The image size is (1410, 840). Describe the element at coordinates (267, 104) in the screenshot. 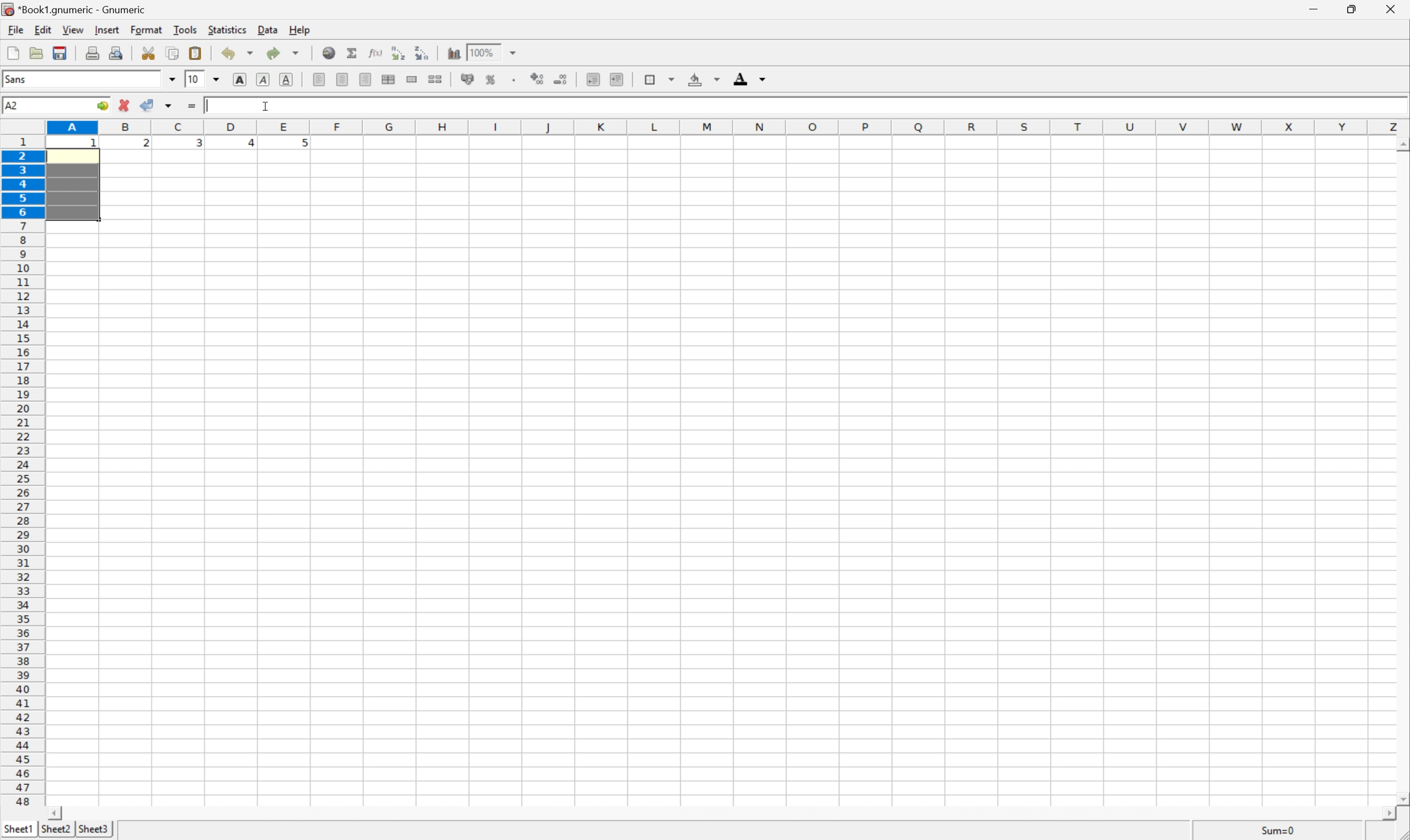

I see `cursor` at that location.